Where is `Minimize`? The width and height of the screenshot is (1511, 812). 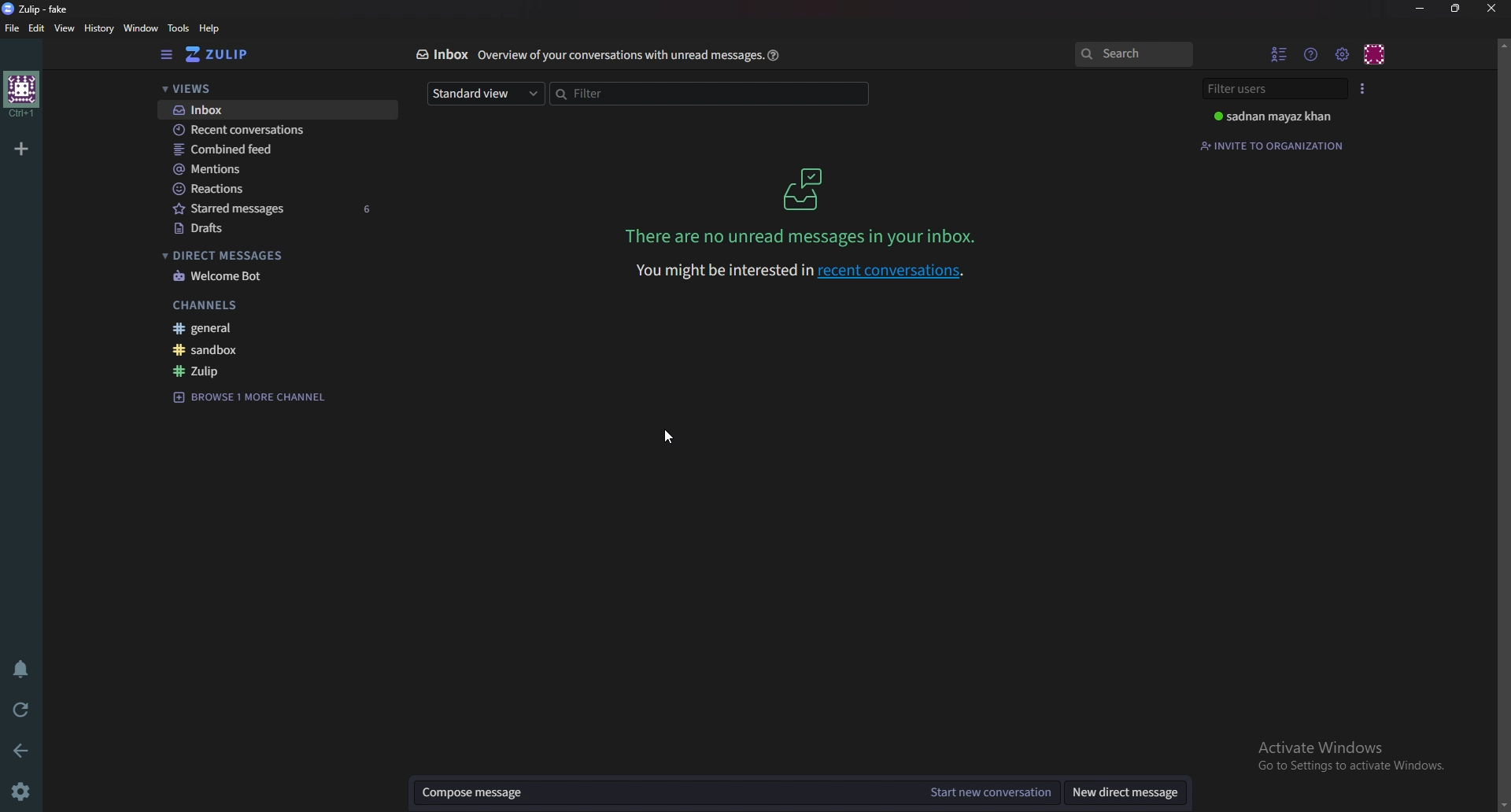 Minimize is located at coordinates (1423, 9).